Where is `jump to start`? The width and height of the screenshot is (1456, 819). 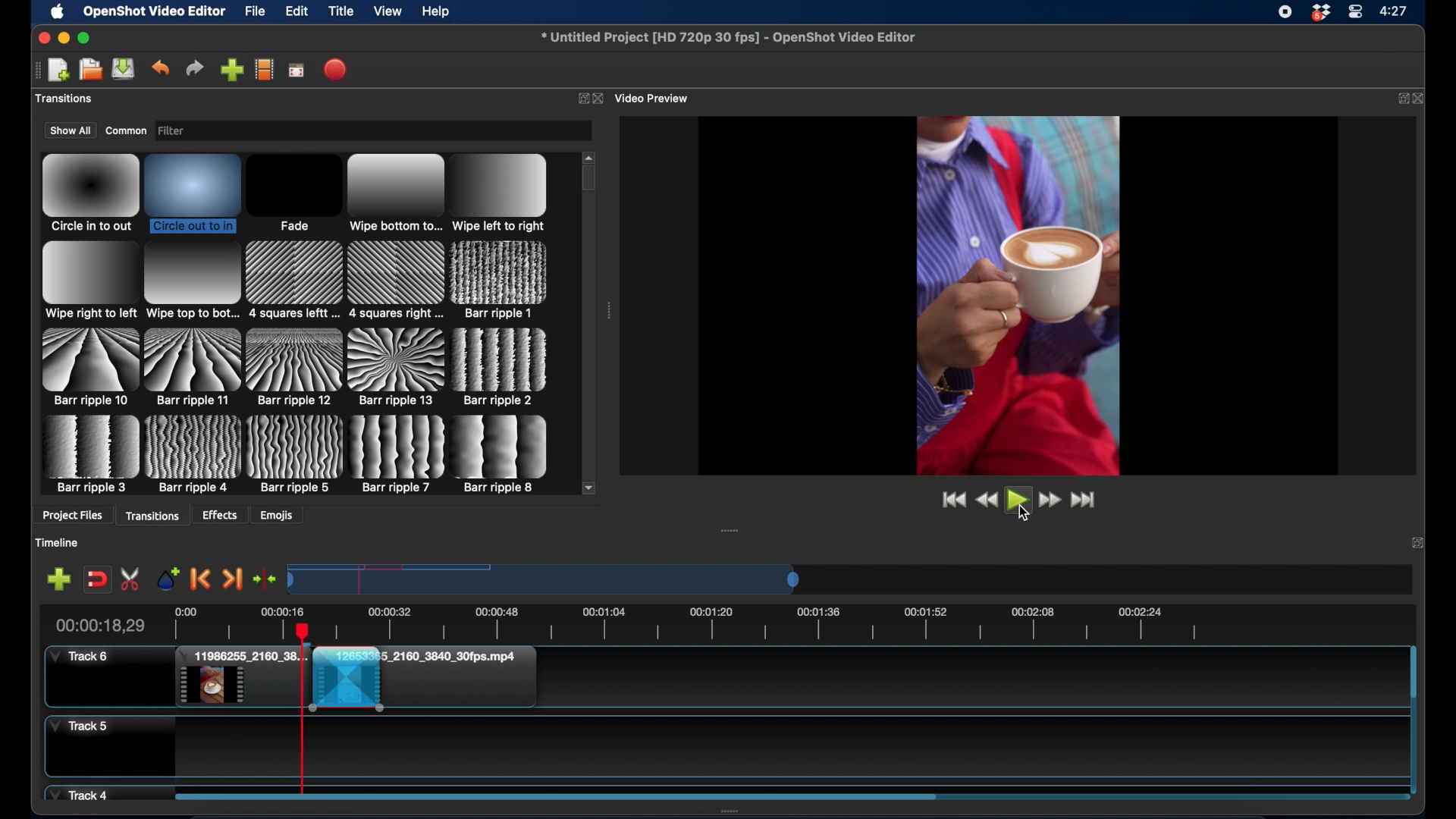 jump to start is located at coordinates (951, 499).